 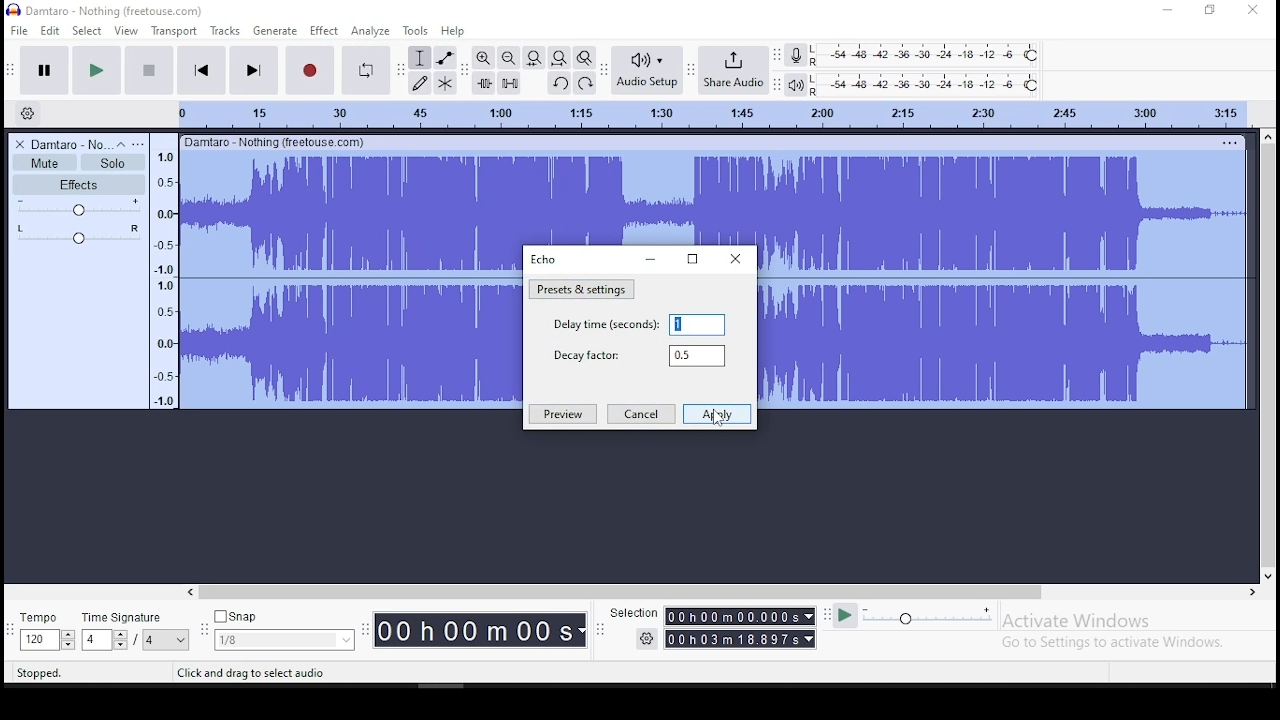 I want to click on Cursor, so click(x=719, y=420).